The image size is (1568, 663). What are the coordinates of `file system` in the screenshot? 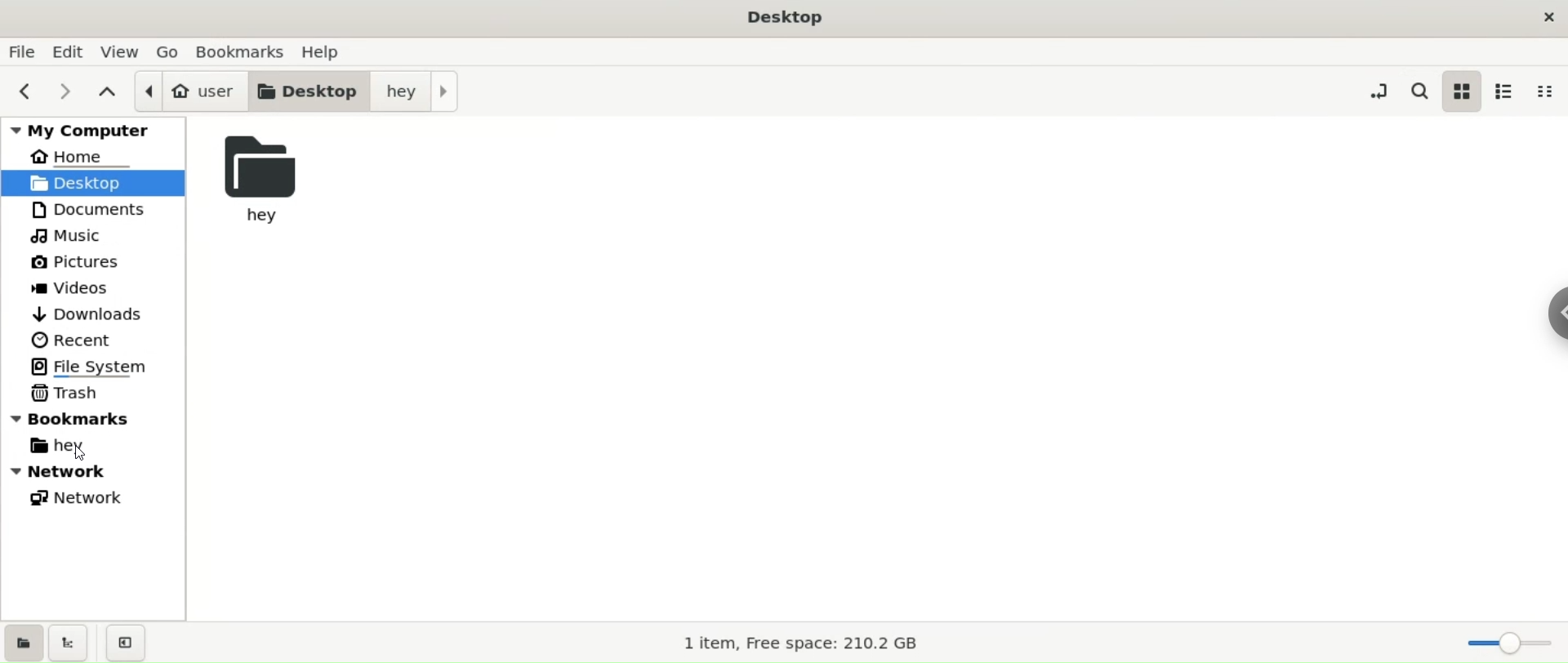 It's located at (93, 368).